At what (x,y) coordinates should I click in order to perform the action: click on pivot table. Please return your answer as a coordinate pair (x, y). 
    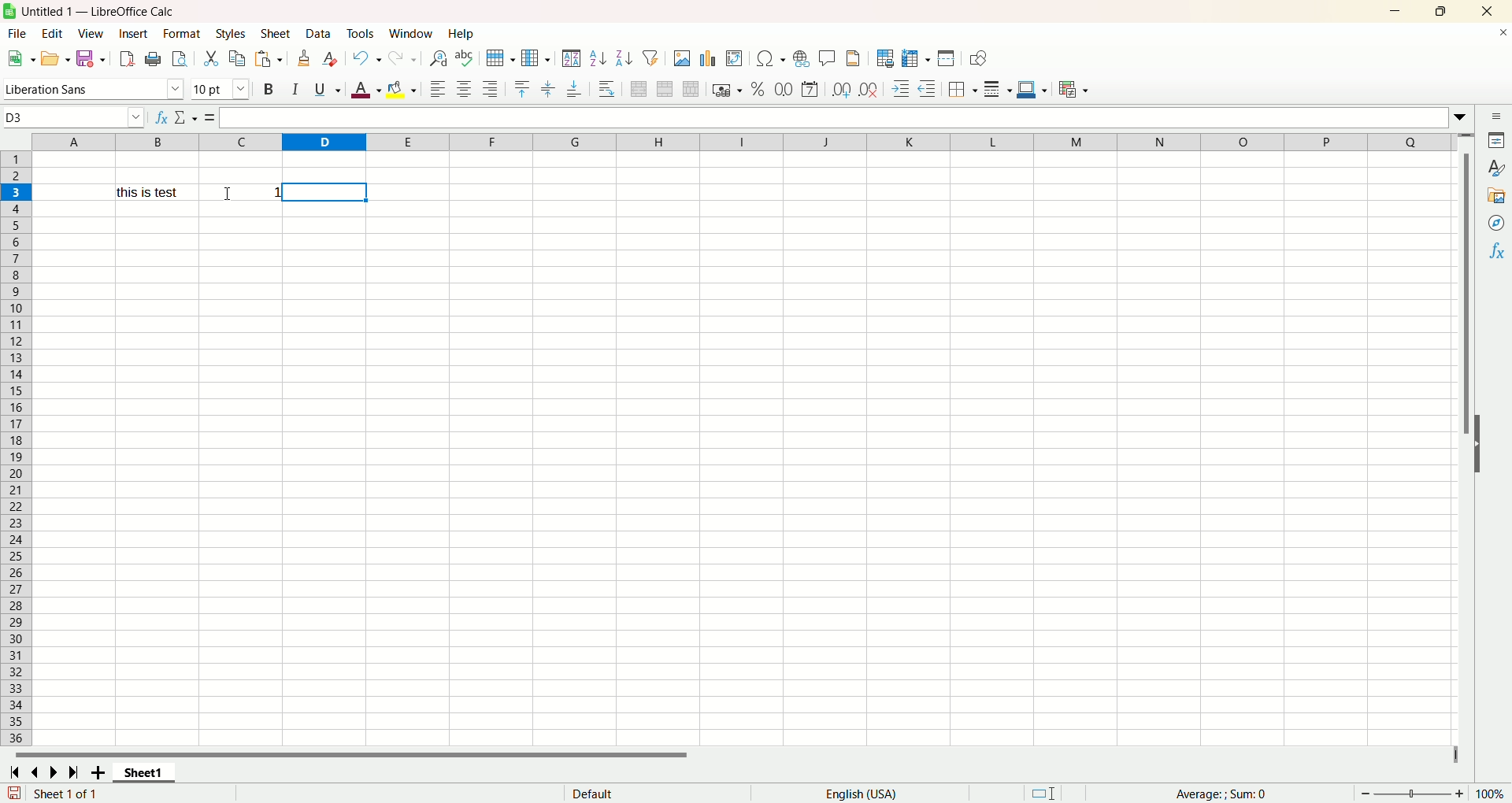
    Looking at the image, I should click on (734, 57).